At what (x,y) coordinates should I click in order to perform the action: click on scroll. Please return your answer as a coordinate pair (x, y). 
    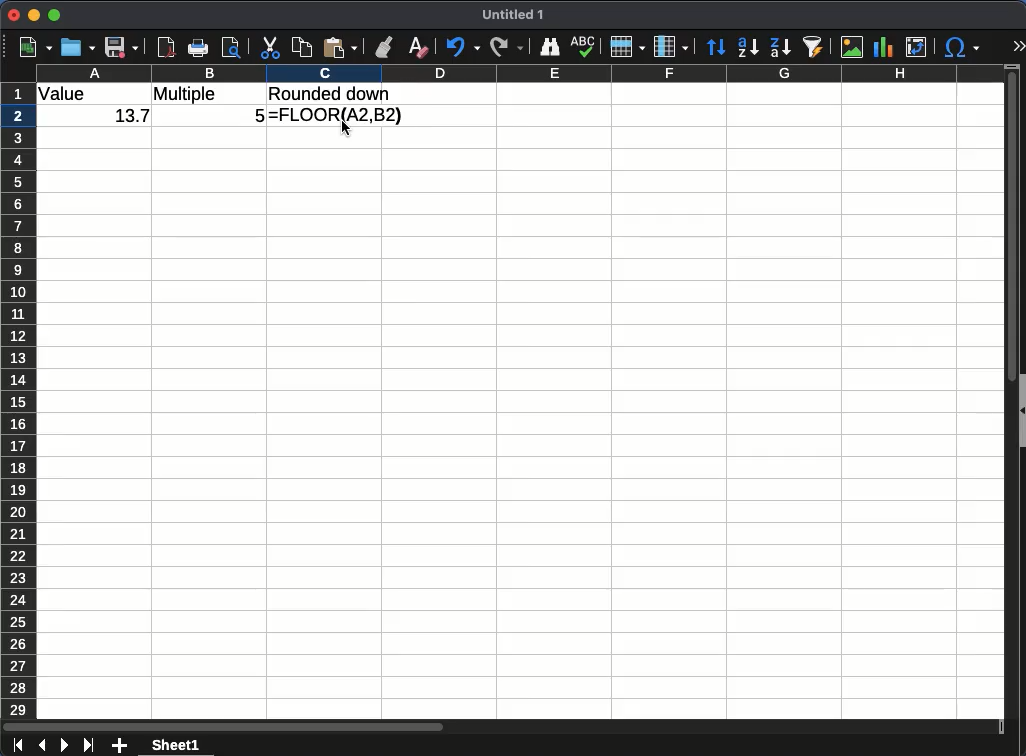
    Looking at the image, I should click on (1003, 400).